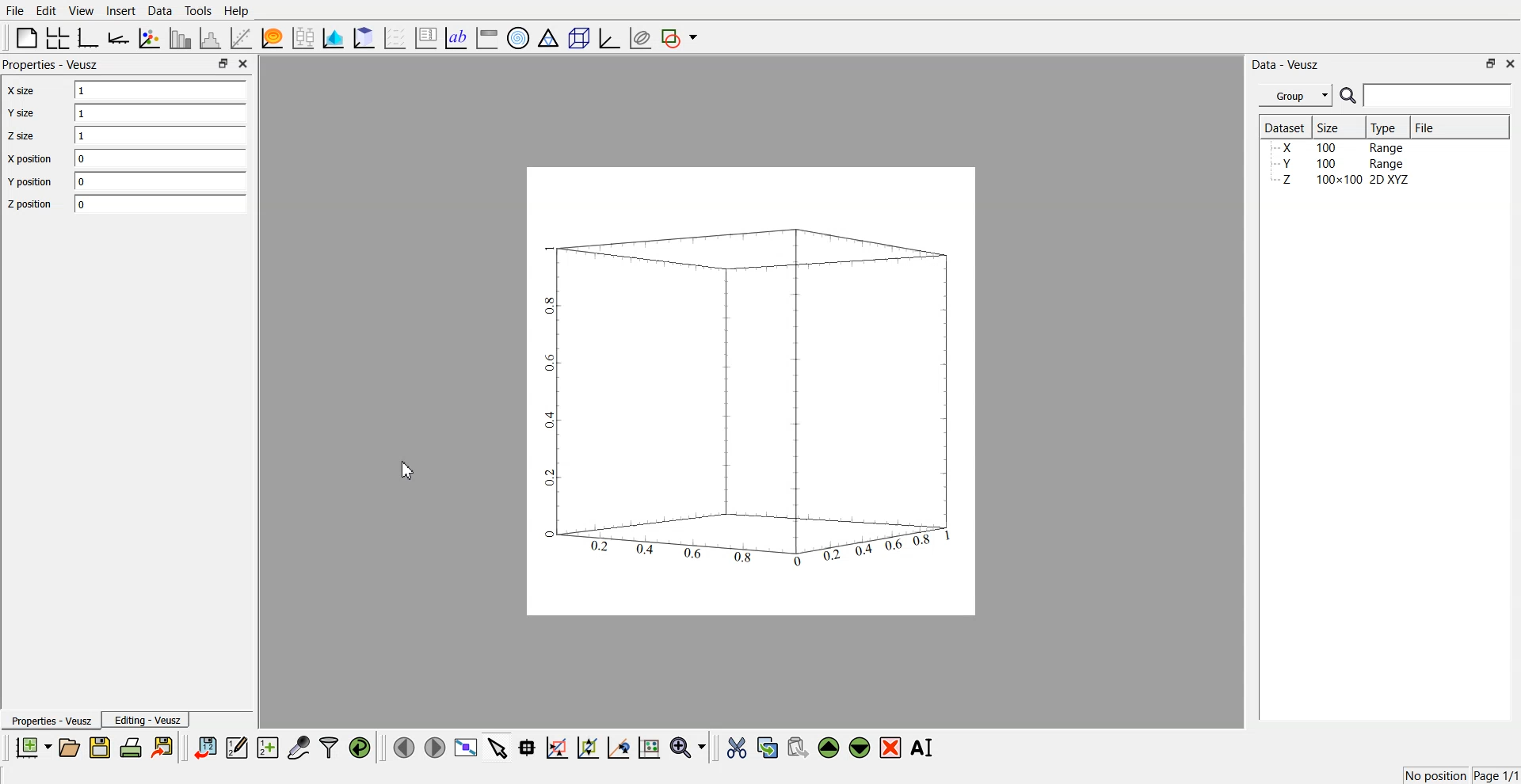 The image size is (1521, 784). Describe the element at coordinates (1511, 63) in the screenshot. I see `Close` at that location.